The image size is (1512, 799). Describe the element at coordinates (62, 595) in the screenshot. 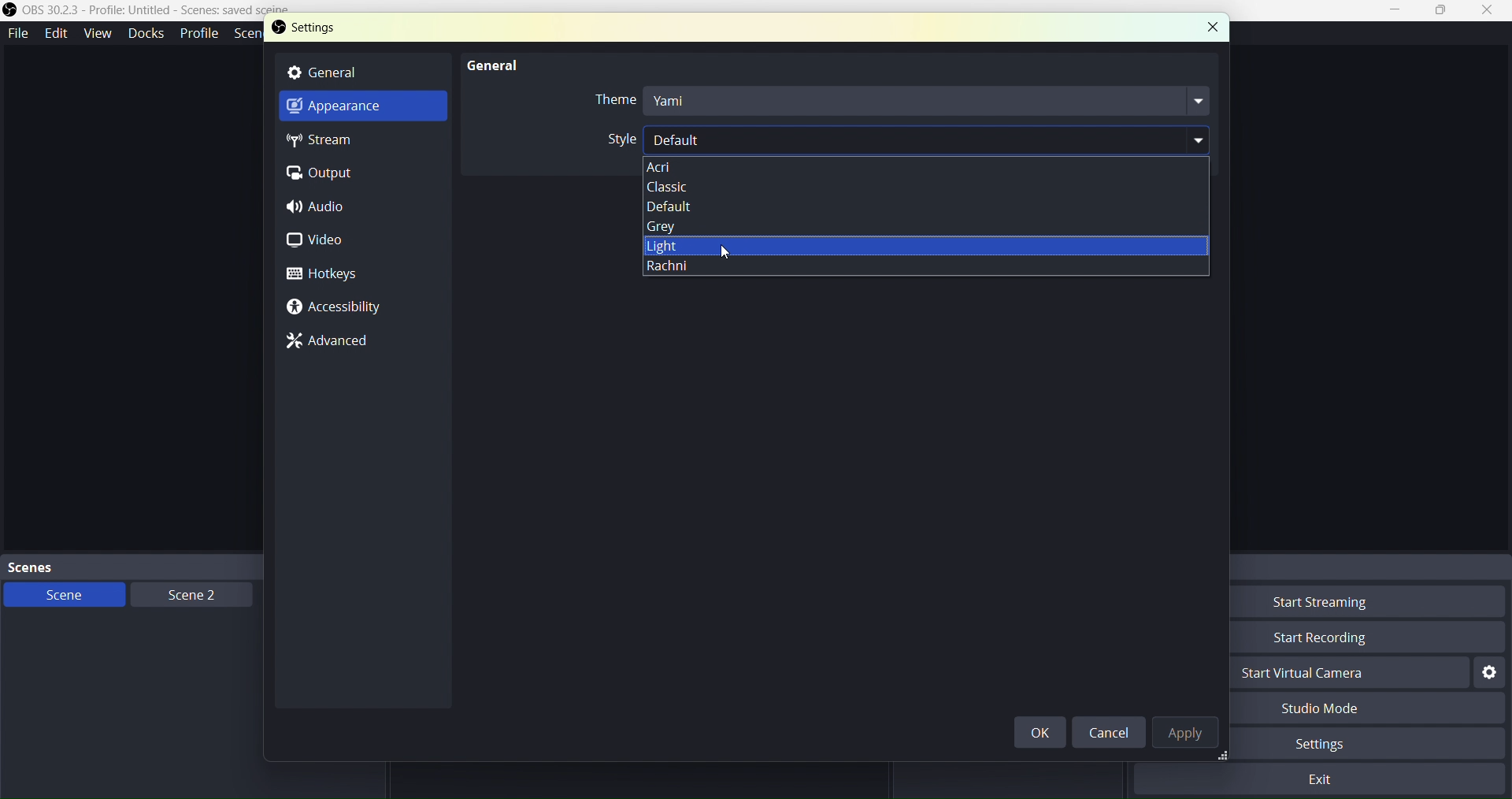

I see `Scene` at that location.